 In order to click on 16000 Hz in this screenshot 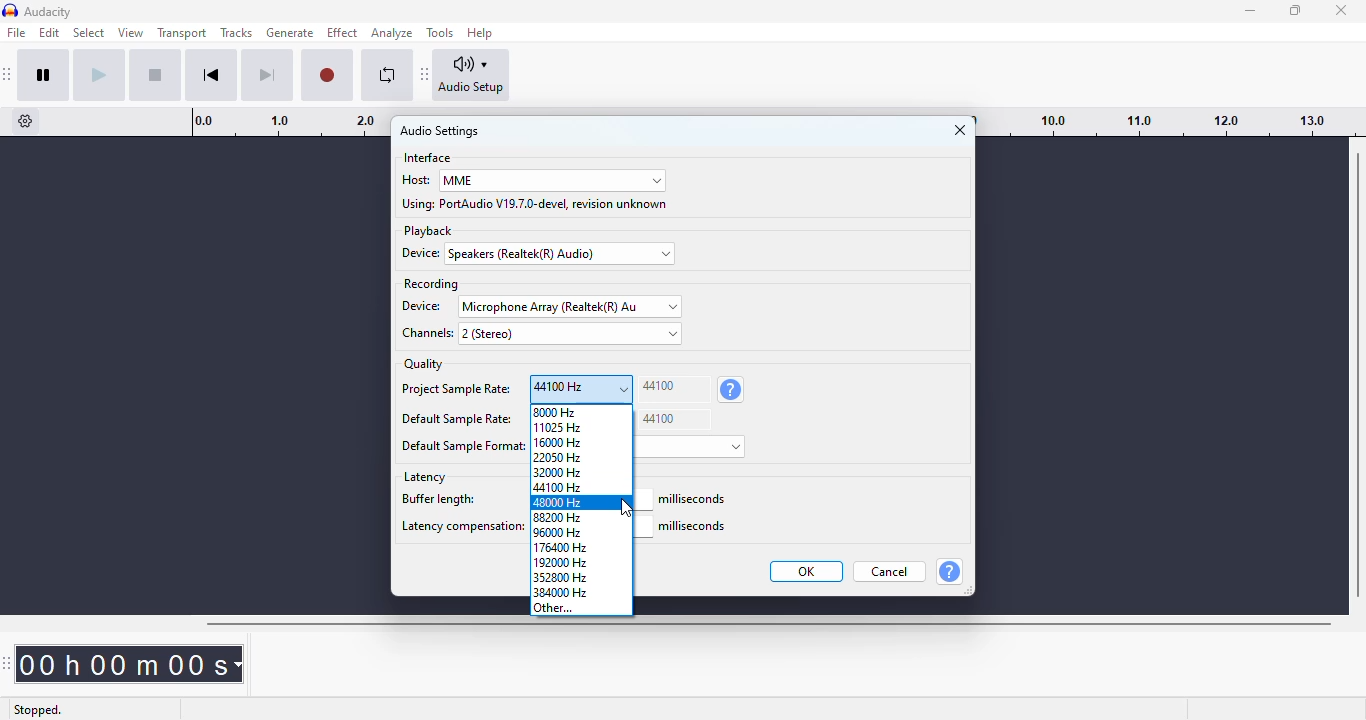, I will do `click(582, 441)`.